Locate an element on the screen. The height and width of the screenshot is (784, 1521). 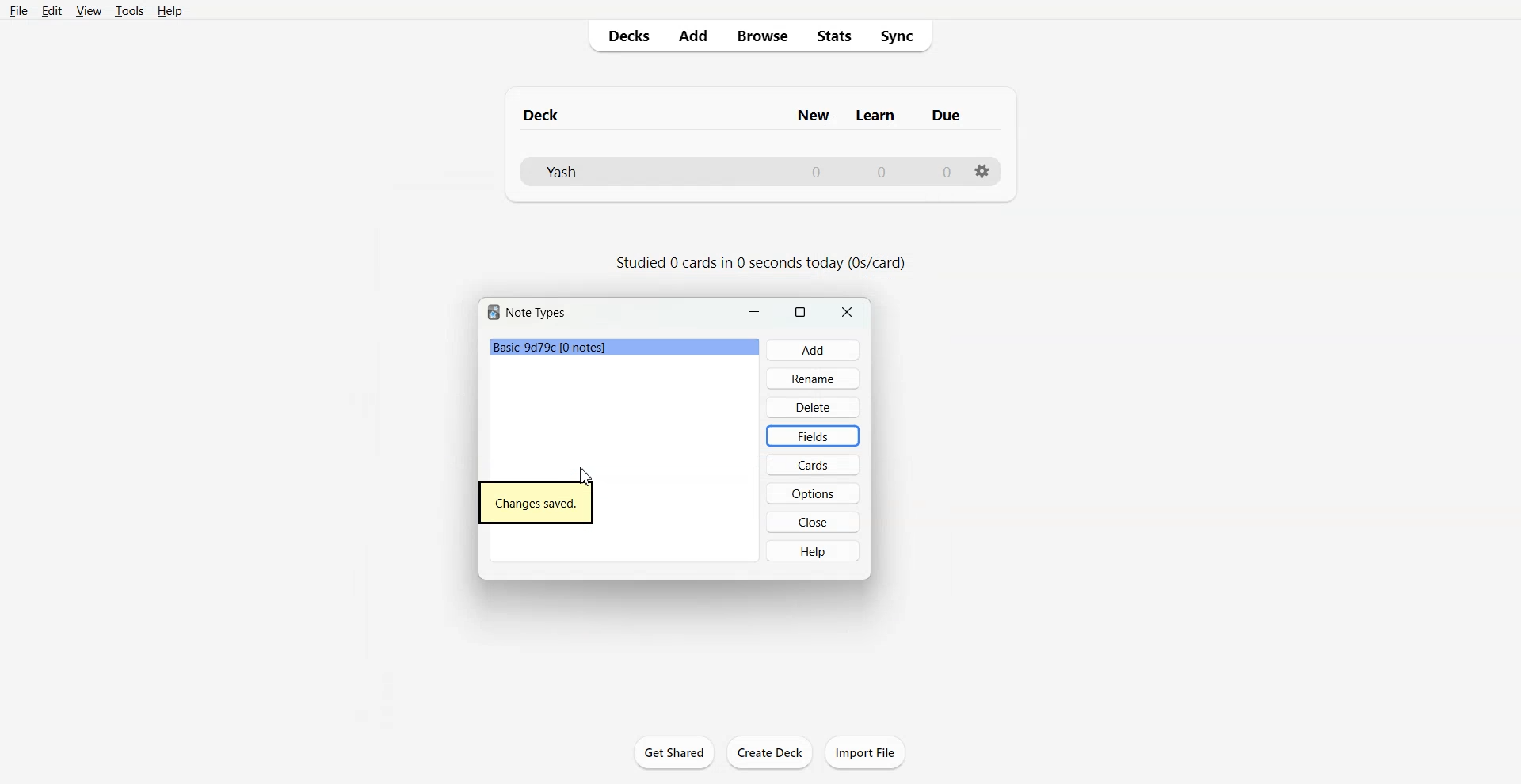
Fields is located at coordinates (813, 436).